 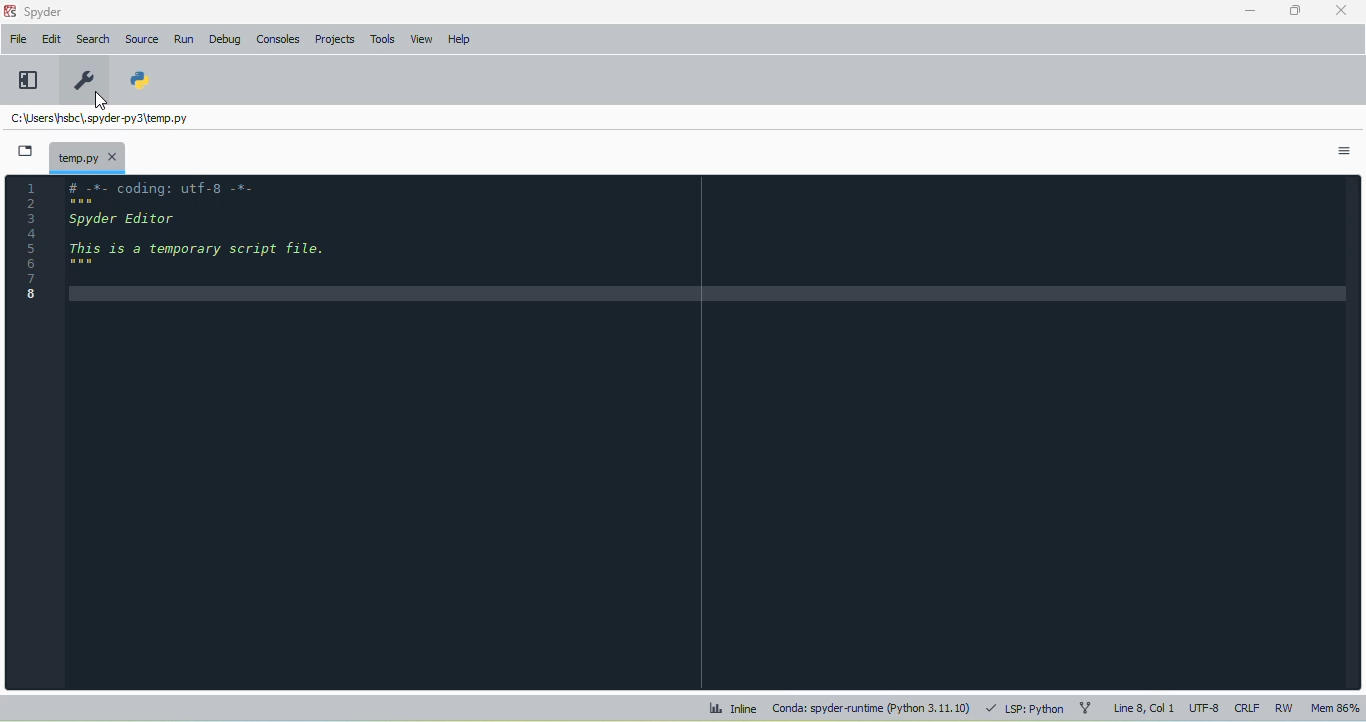 I want to click on help, so click(x=458, y=39).